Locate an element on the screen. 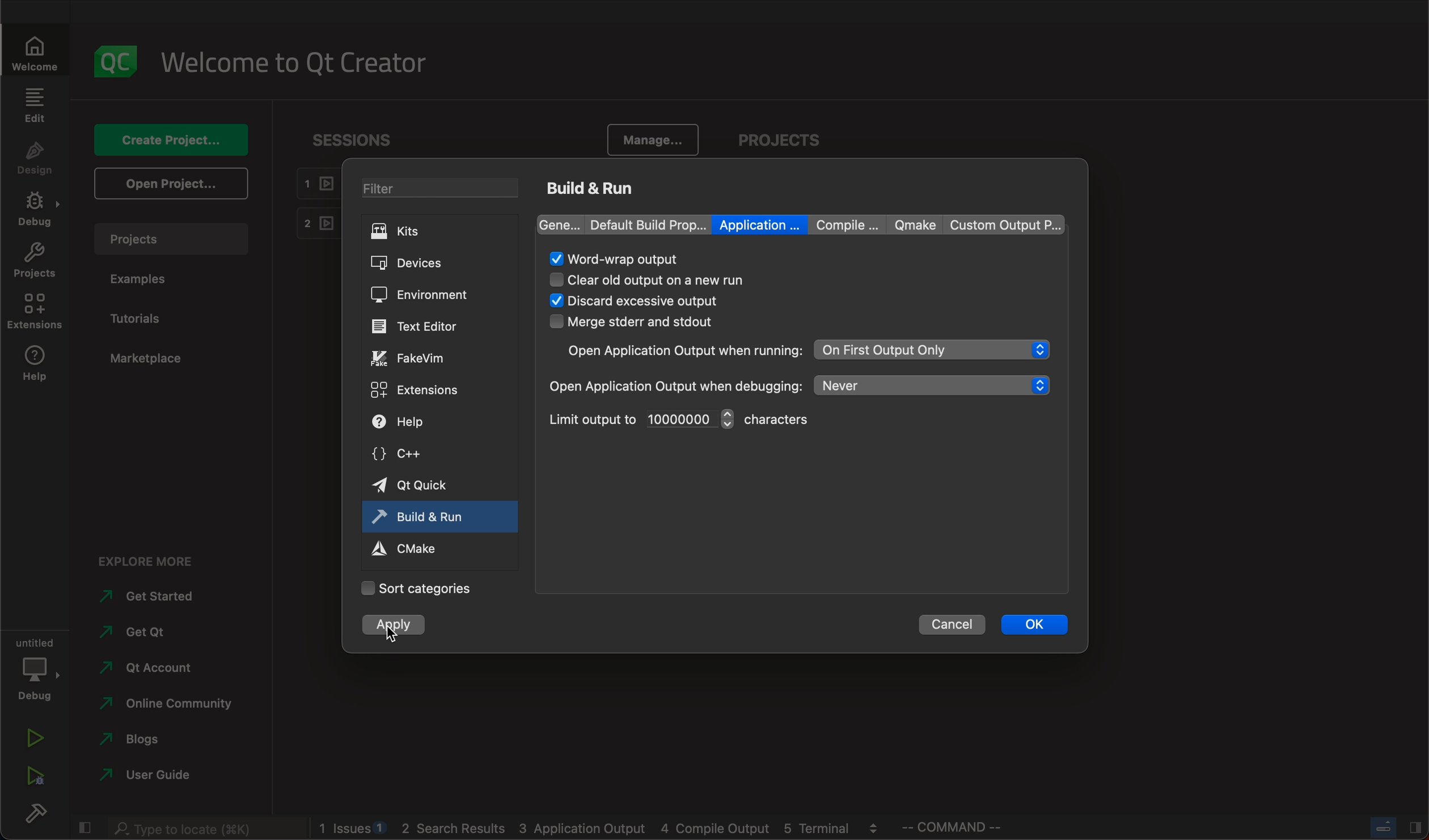 This screenshot has height=840, width=1429. build is located at coordinates (39, 816).